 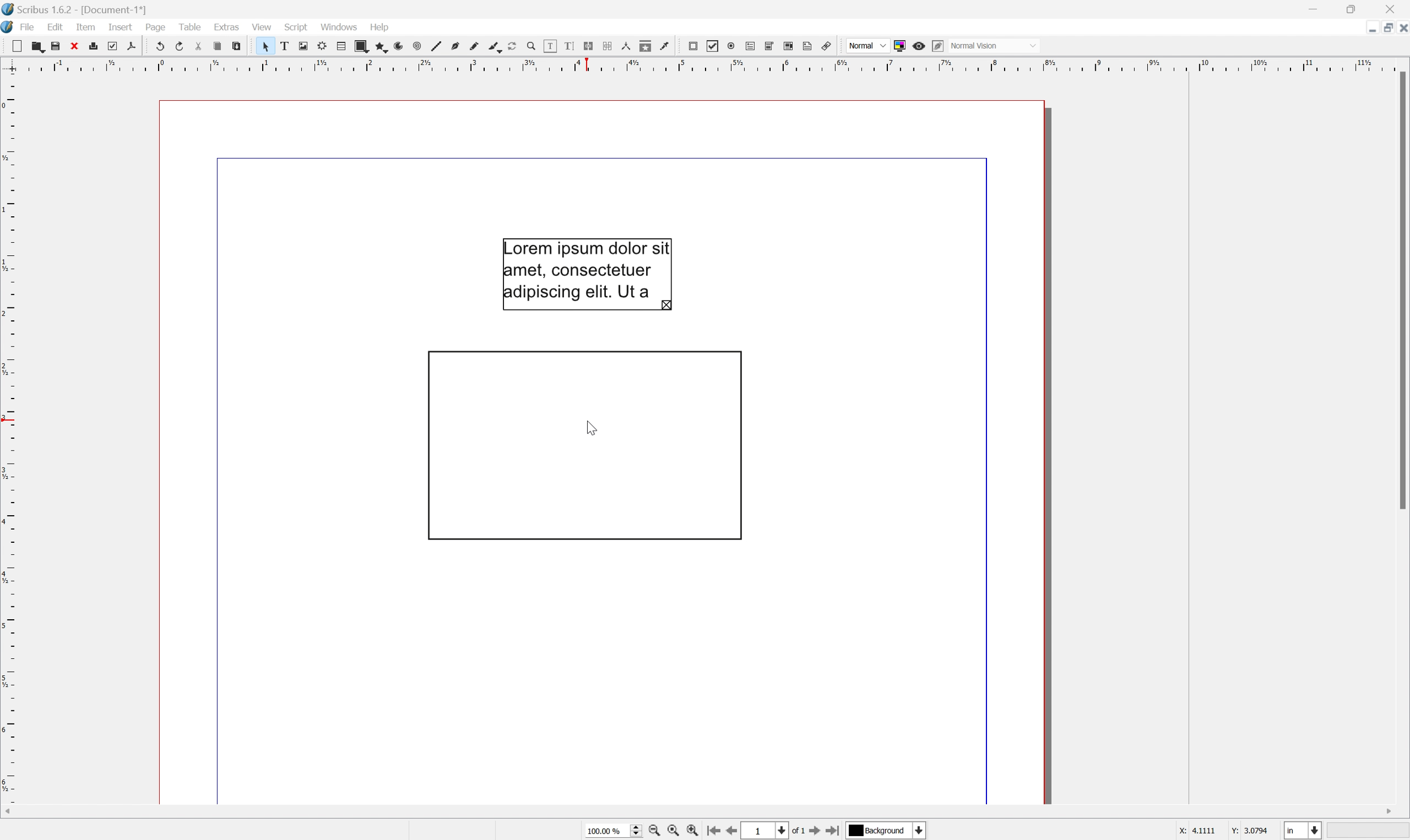 I want to click on 4.1111, so click(x=1205, y=831).